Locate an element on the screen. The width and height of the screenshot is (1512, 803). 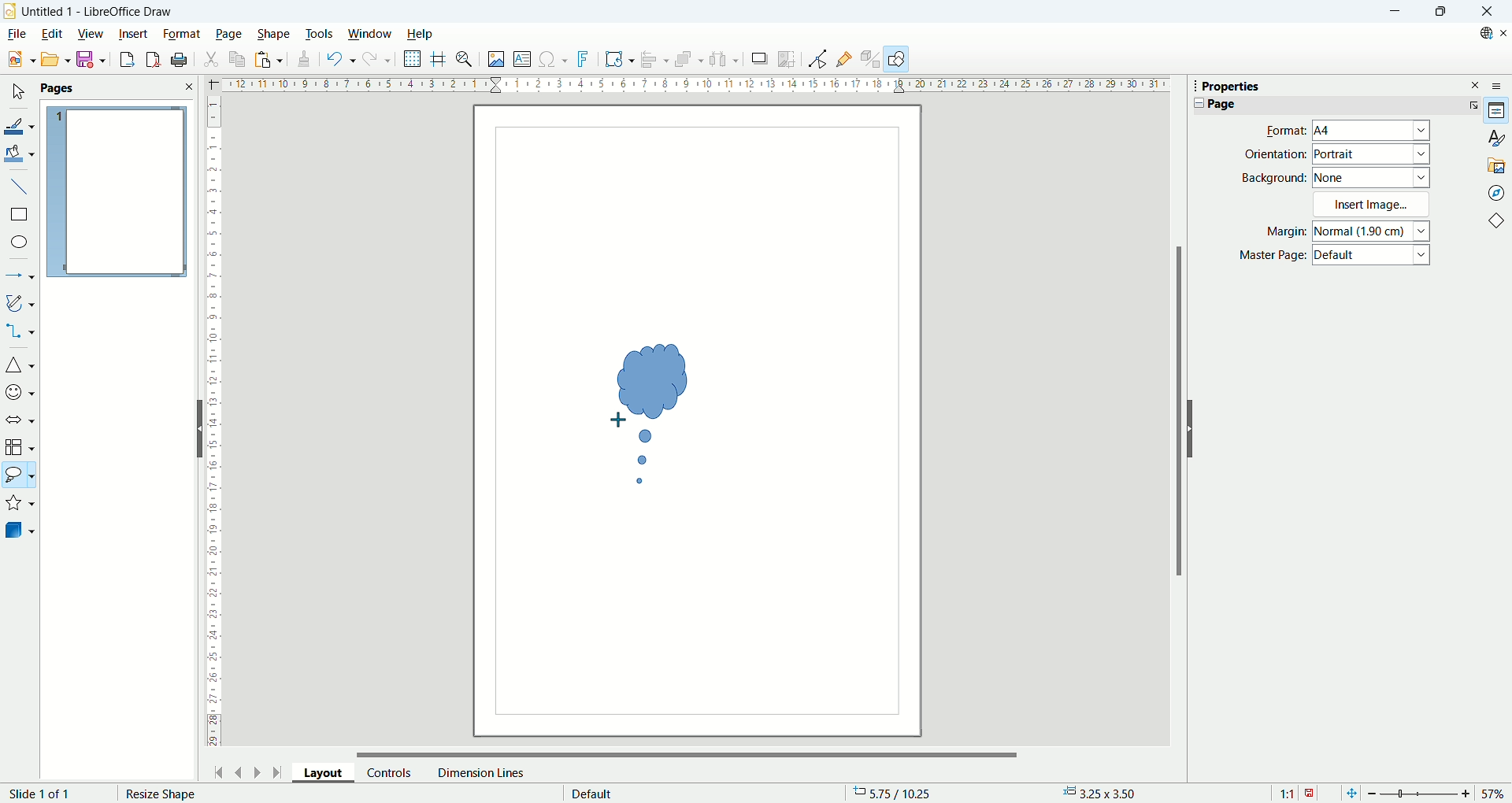
new is located at coordinates (18, 60).